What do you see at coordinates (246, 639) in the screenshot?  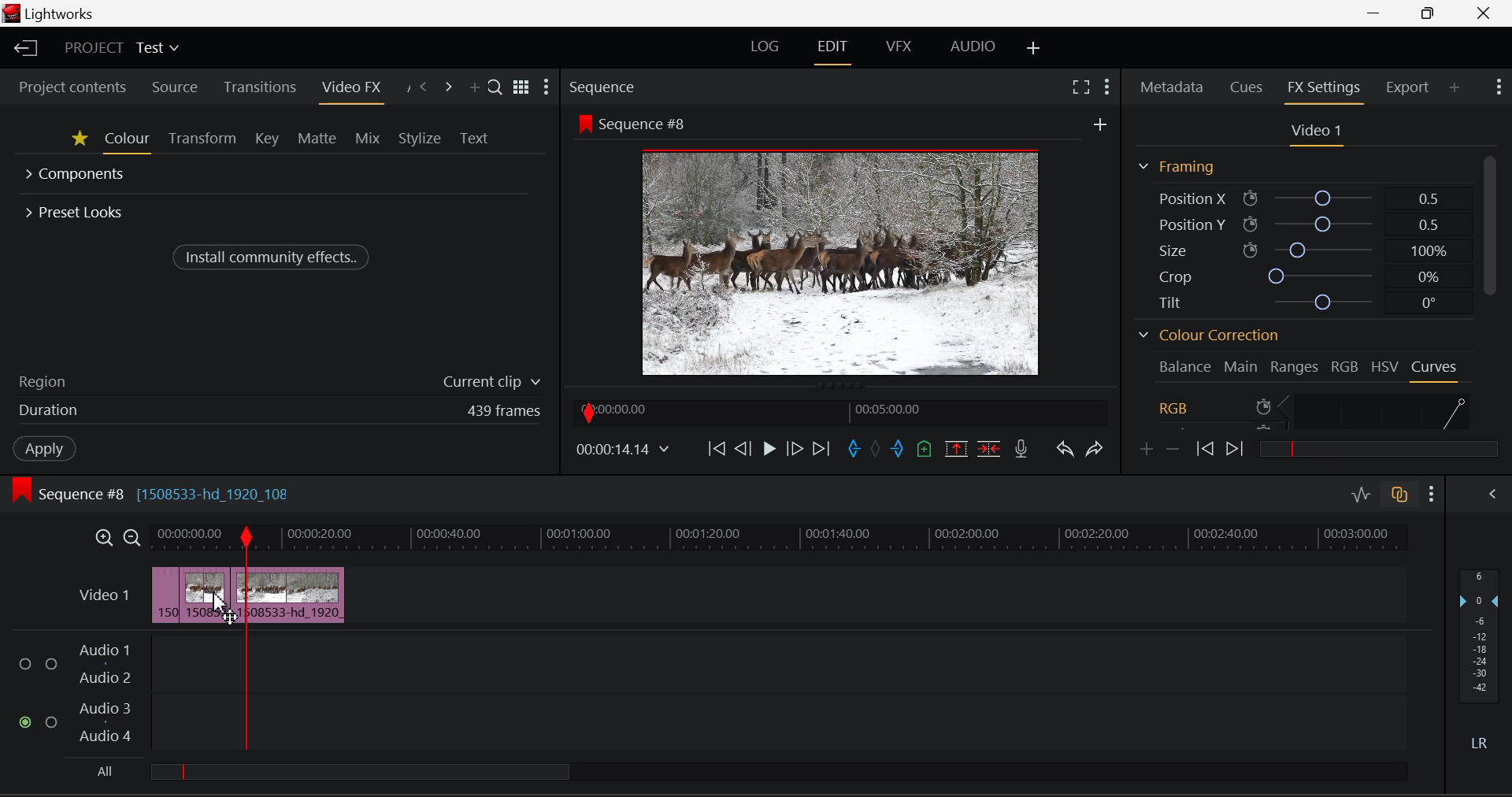 I see `Second Clip Cut Point` at bounding box center [246, 639].